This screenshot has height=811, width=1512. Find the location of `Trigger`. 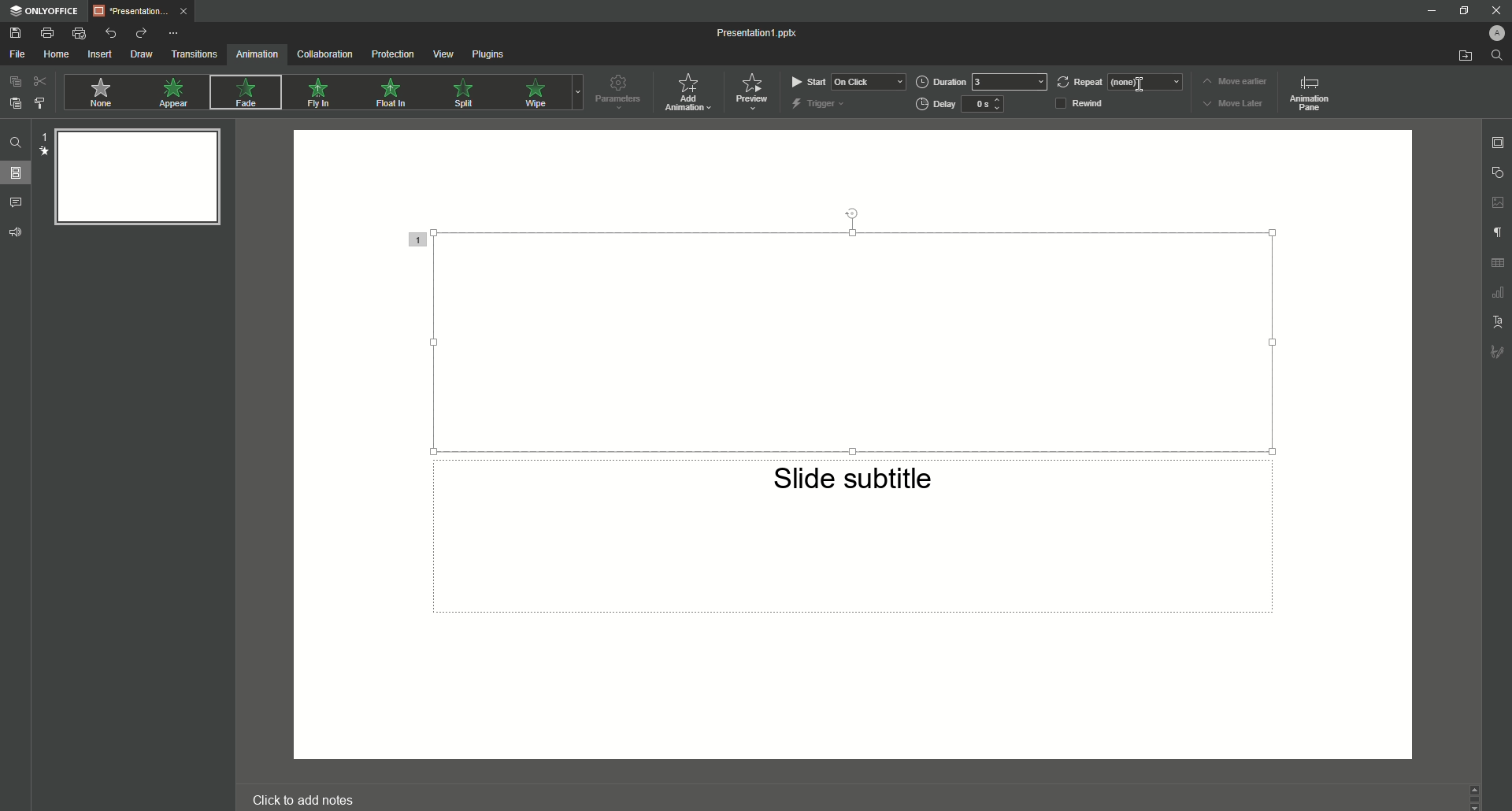

Trigger is located at coordinates (819, 103).